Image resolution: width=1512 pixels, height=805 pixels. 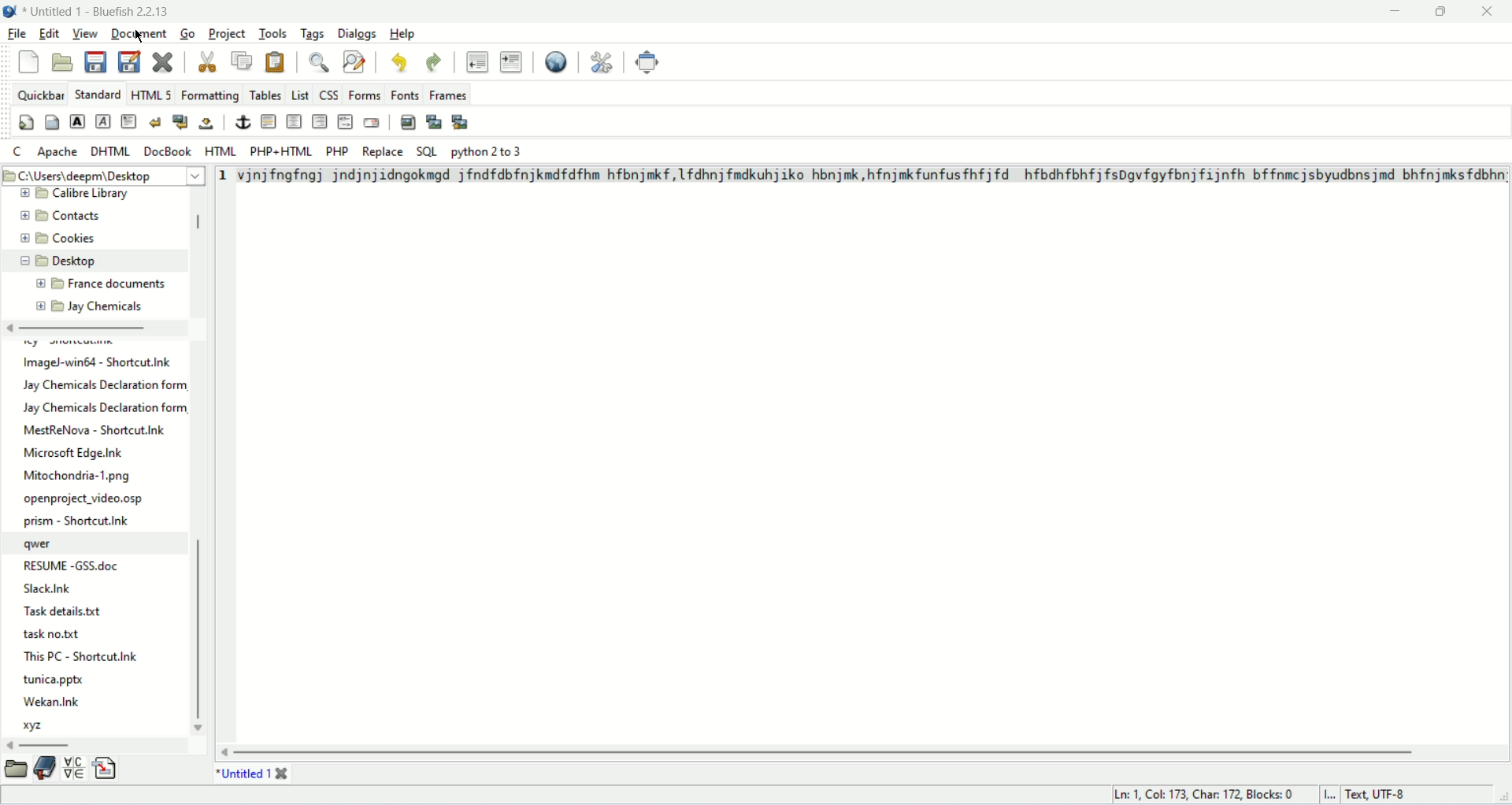 I want to click on Cookies., so click(x=78, y=240).